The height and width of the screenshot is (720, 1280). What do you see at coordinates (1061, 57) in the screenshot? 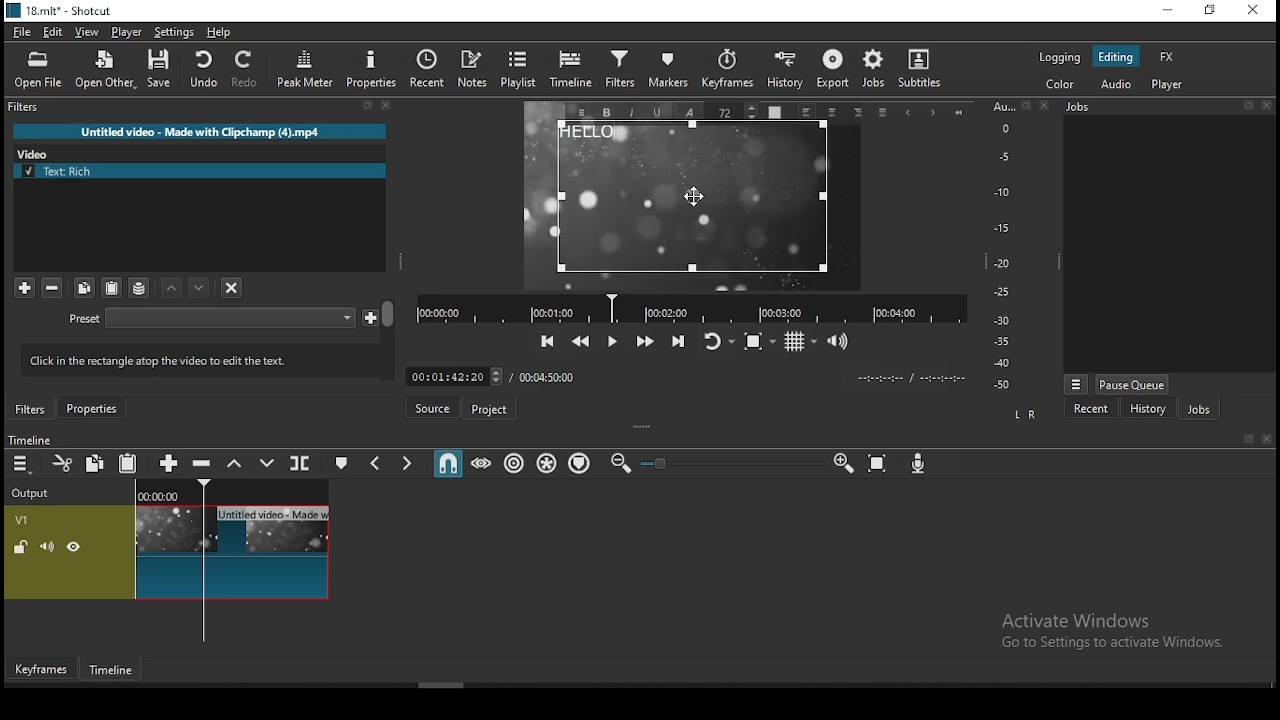
I see `logging` at bounding box center [1061, 57].